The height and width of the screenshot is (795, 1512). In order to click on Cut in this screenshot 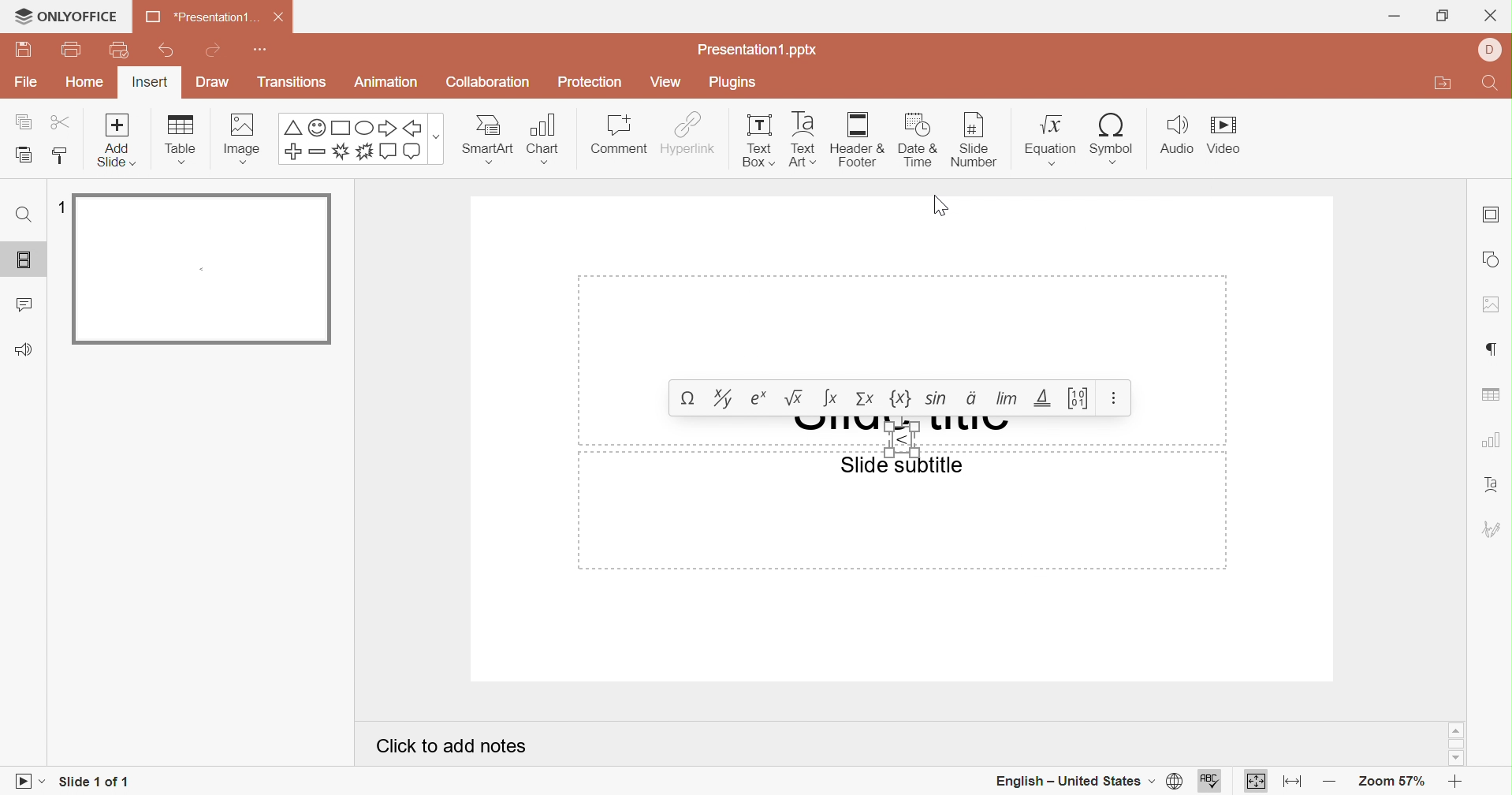, I will do `click(69, 124)`.